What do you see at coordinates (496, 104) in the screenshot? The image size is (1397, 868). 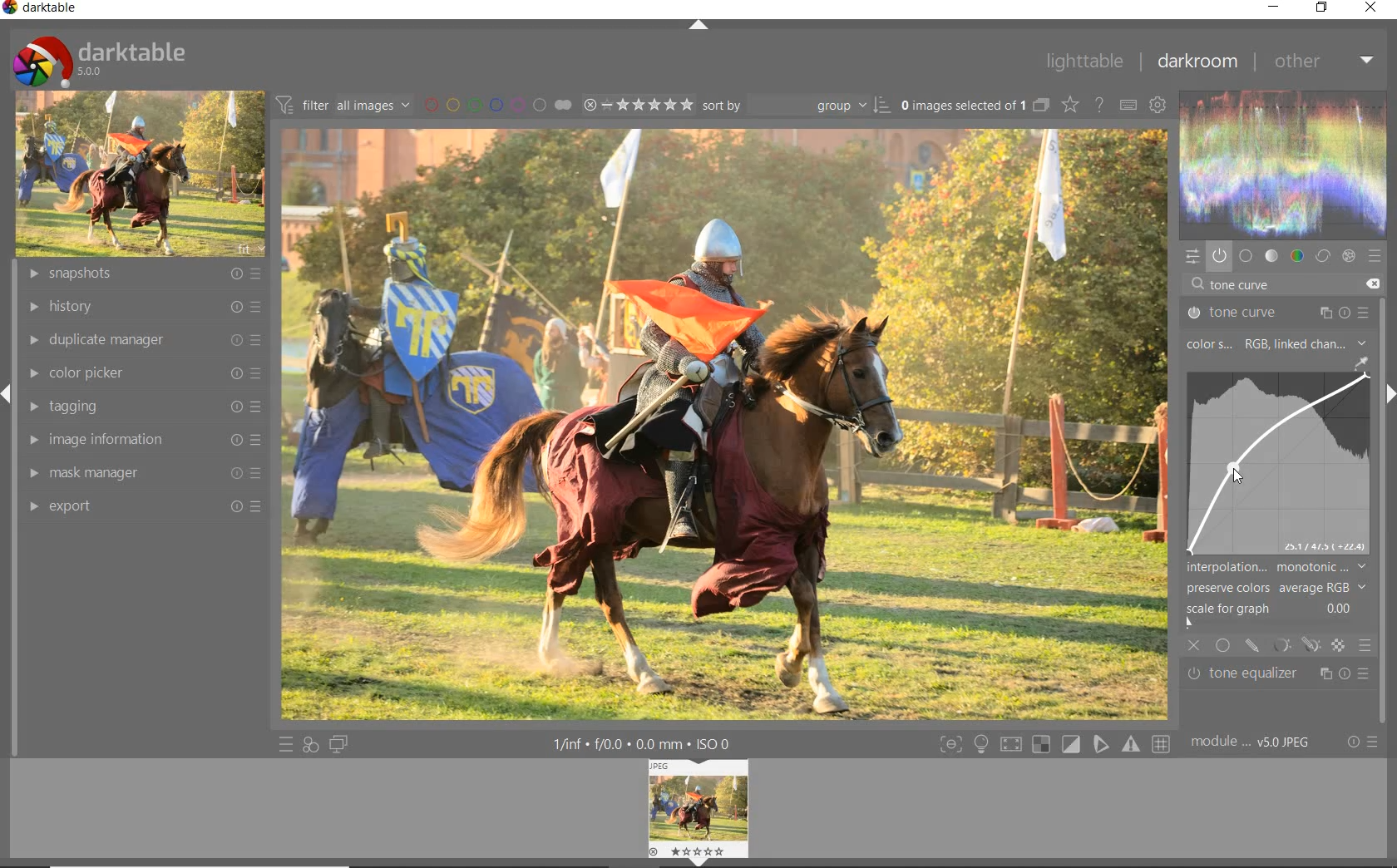 I see `filter by image color label` at bounding box center [496, 104].